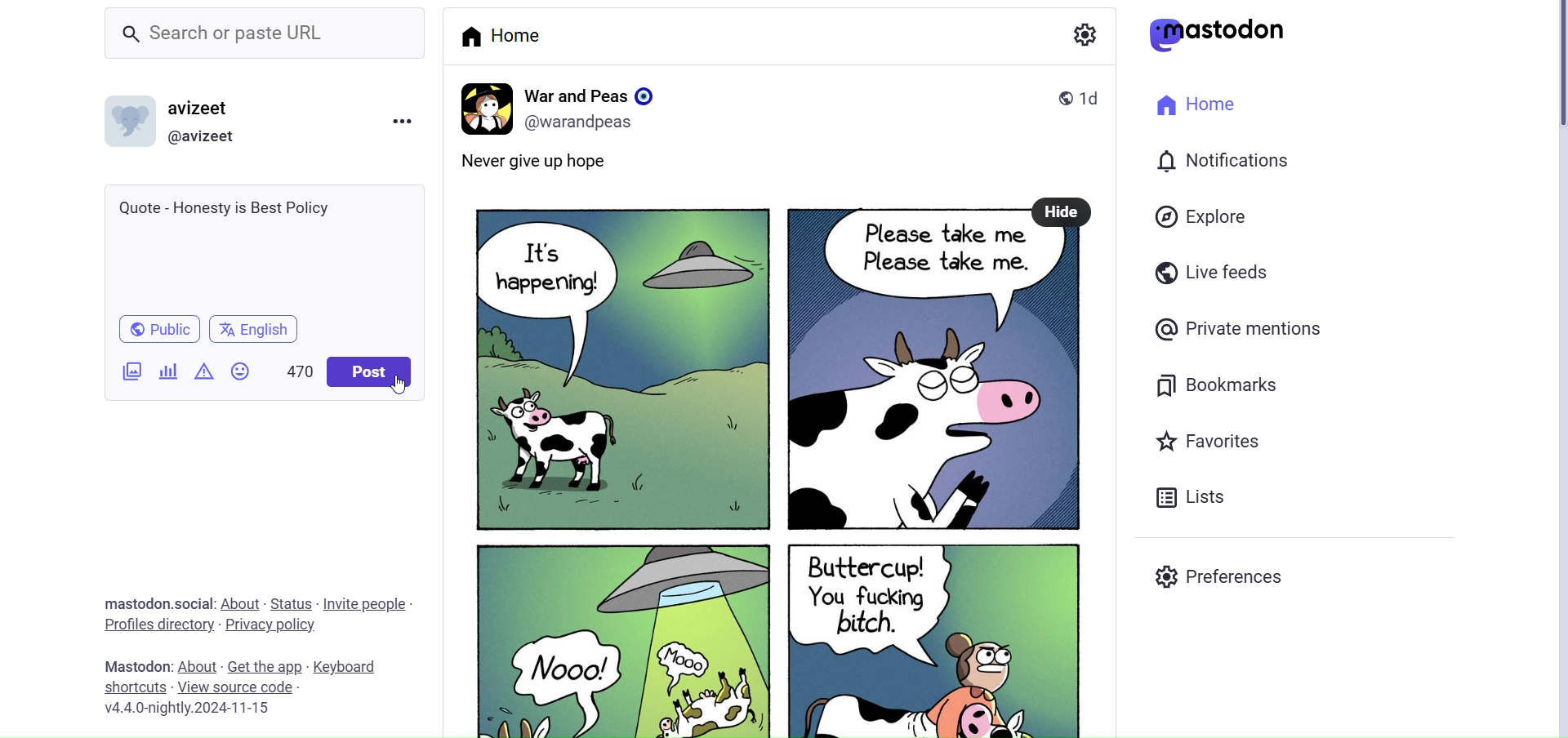 This screenshot has width=1568, height=738. Describe the element at coordinates (370, 603) in the screenshot. I see `Invite People` at that location.